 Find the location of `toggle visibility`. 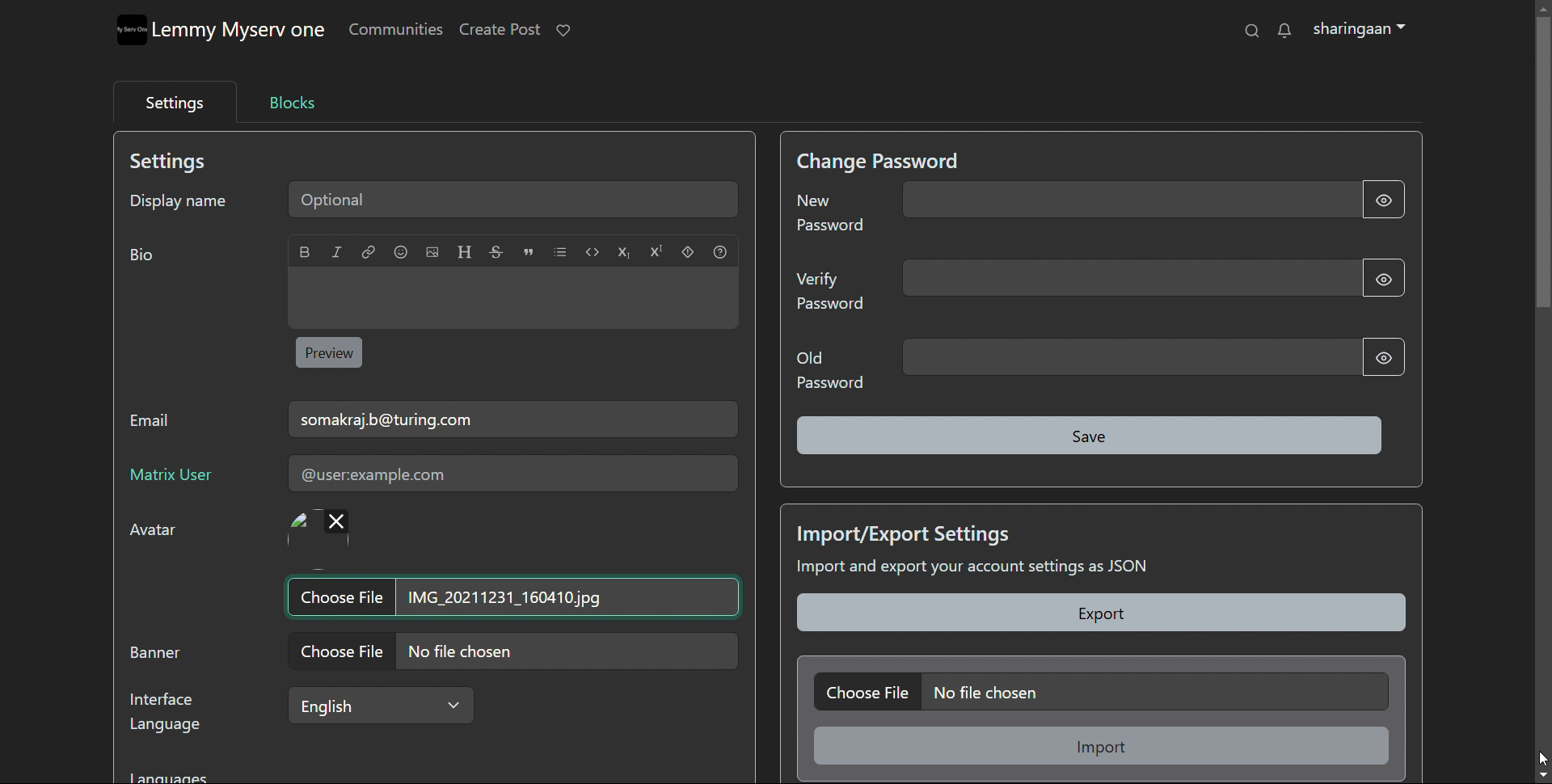

toggle visibility is located at coordinates (1384, 200).